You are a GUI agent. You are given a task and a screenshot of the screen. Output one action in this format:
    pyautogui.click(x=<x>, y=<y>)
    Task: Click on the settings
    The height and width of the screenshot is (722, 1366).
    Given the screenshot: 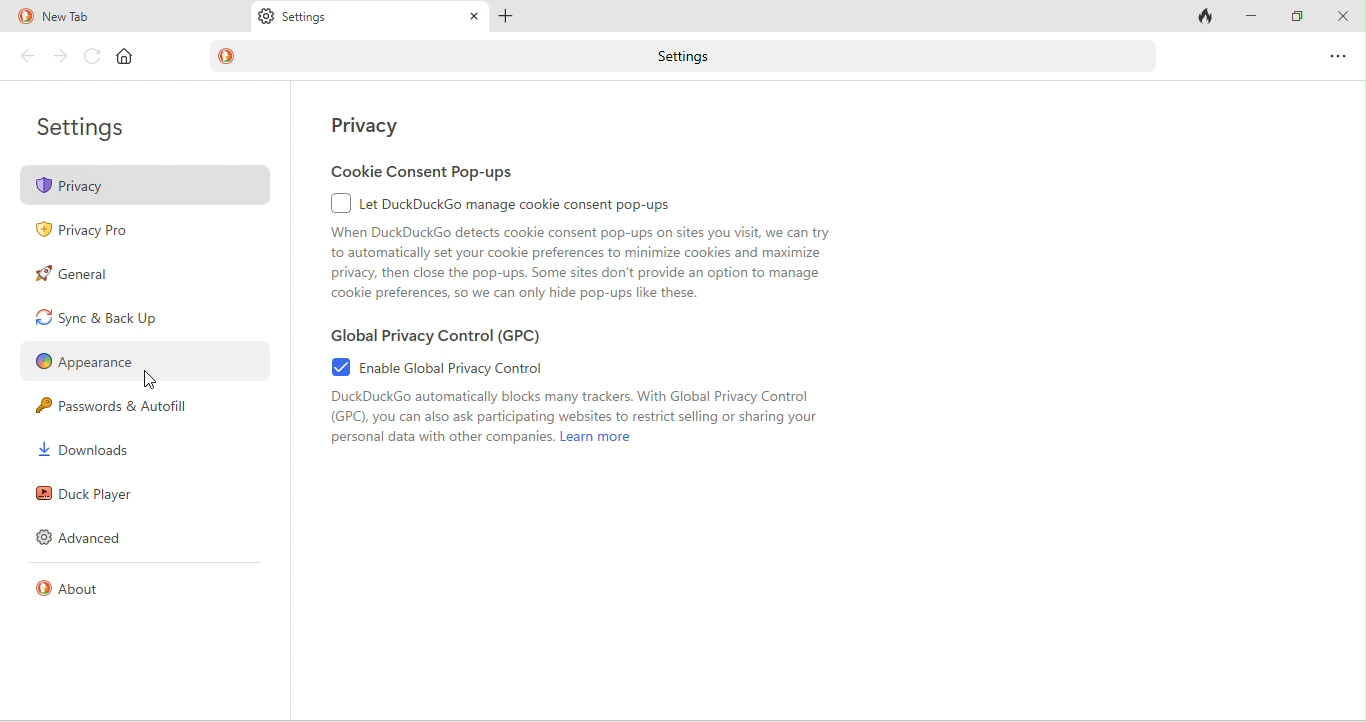 What is the action you would take?
    pyautogui.click(x=311, y=19)
    